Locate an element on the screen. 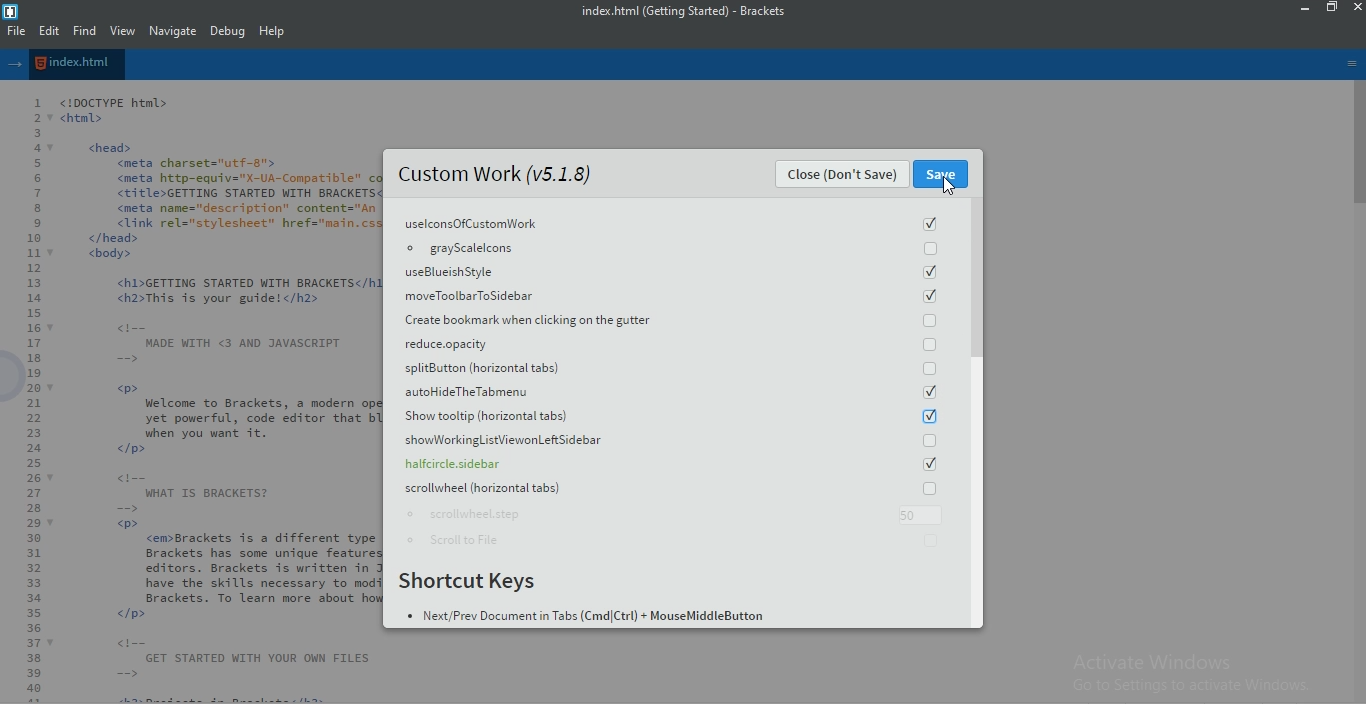  restore is located at coordinates (1333, 8).